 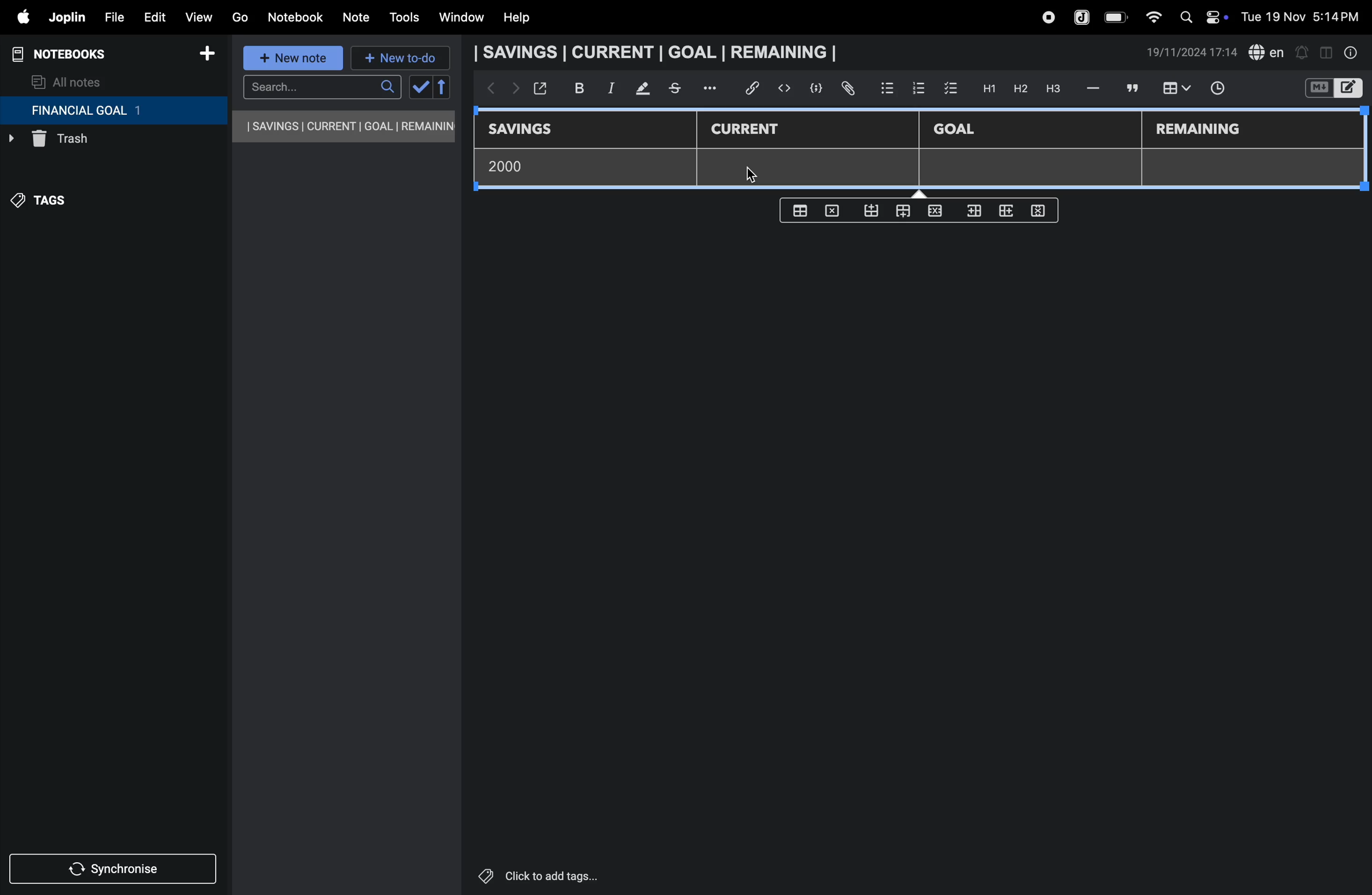 What do you see at coordinates (1083, 16) in the screenshot?
I see `joplin` at bounding box center [1083, 16].